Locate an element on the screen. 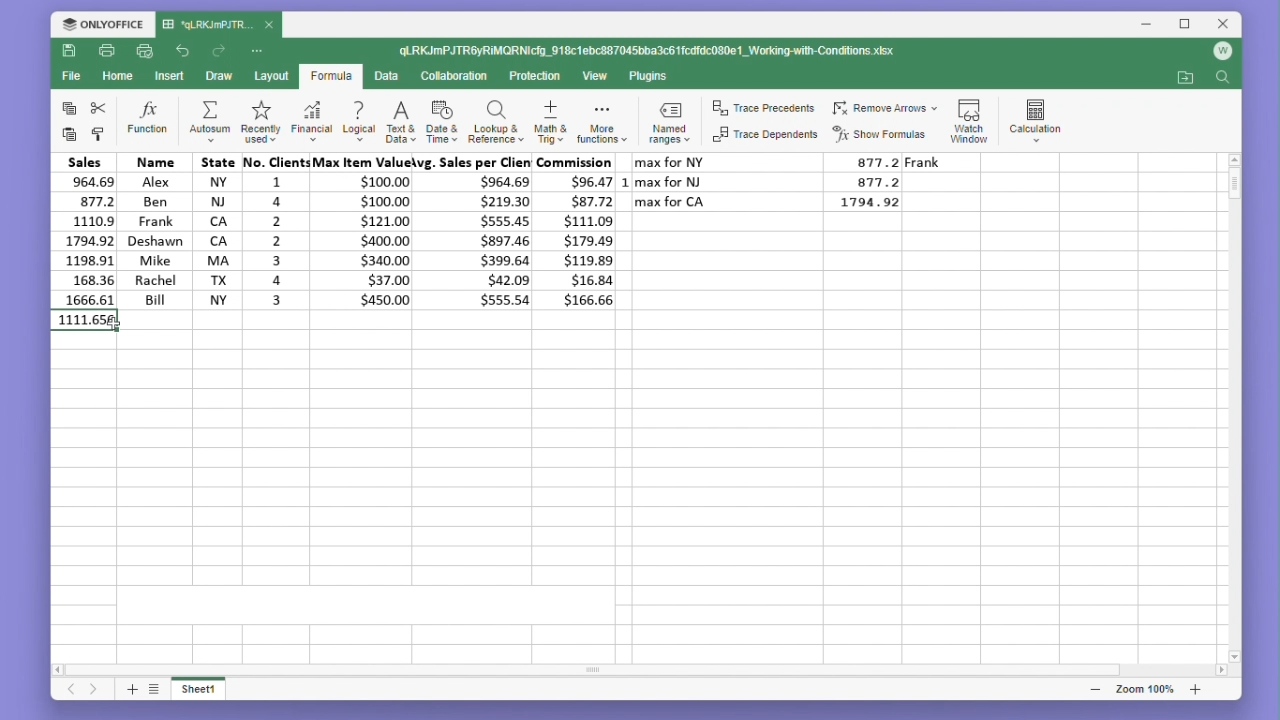  Remove arrows is located at coordinates (884, 109).